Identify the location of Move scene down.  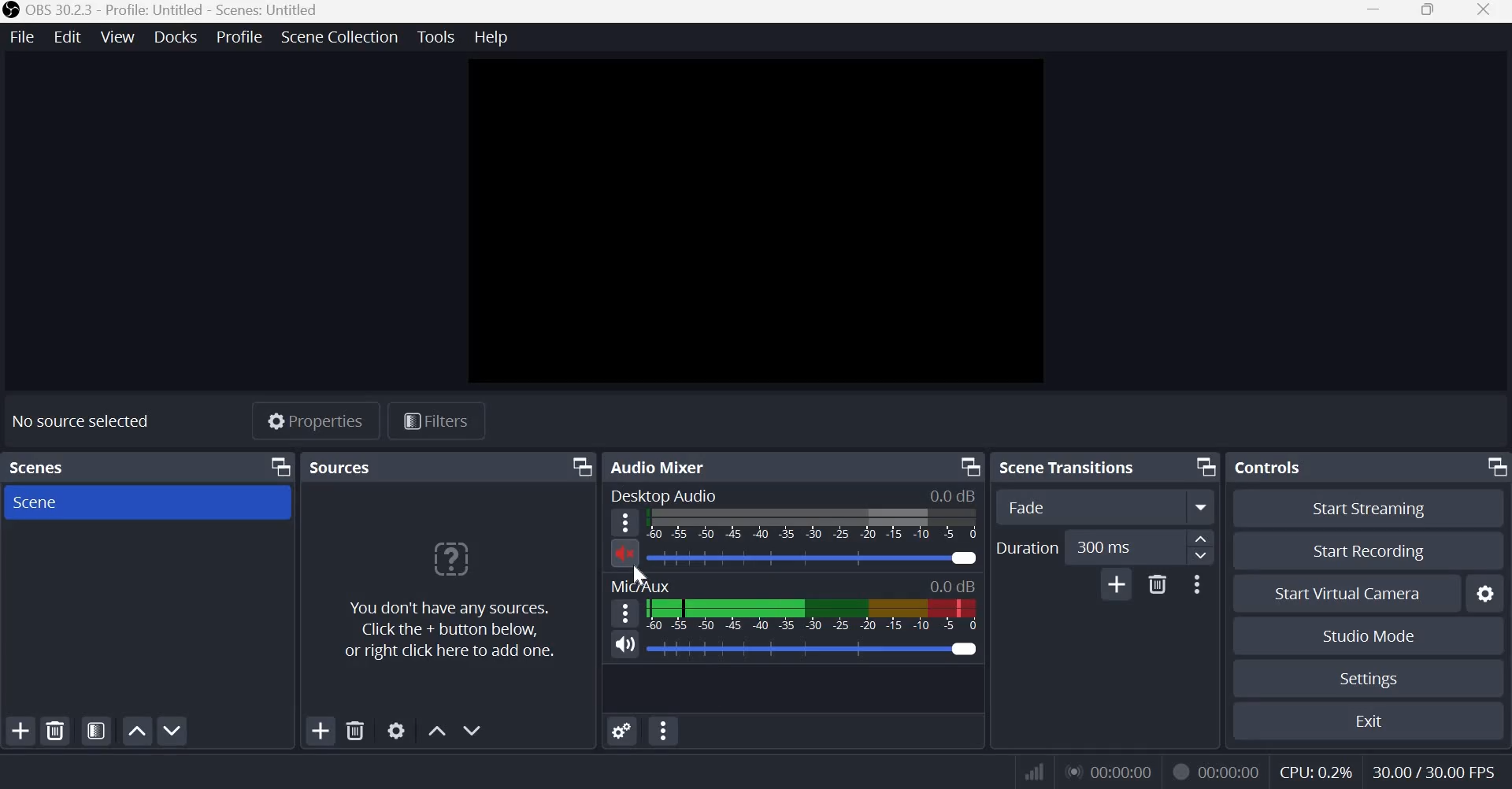
(172, 731).